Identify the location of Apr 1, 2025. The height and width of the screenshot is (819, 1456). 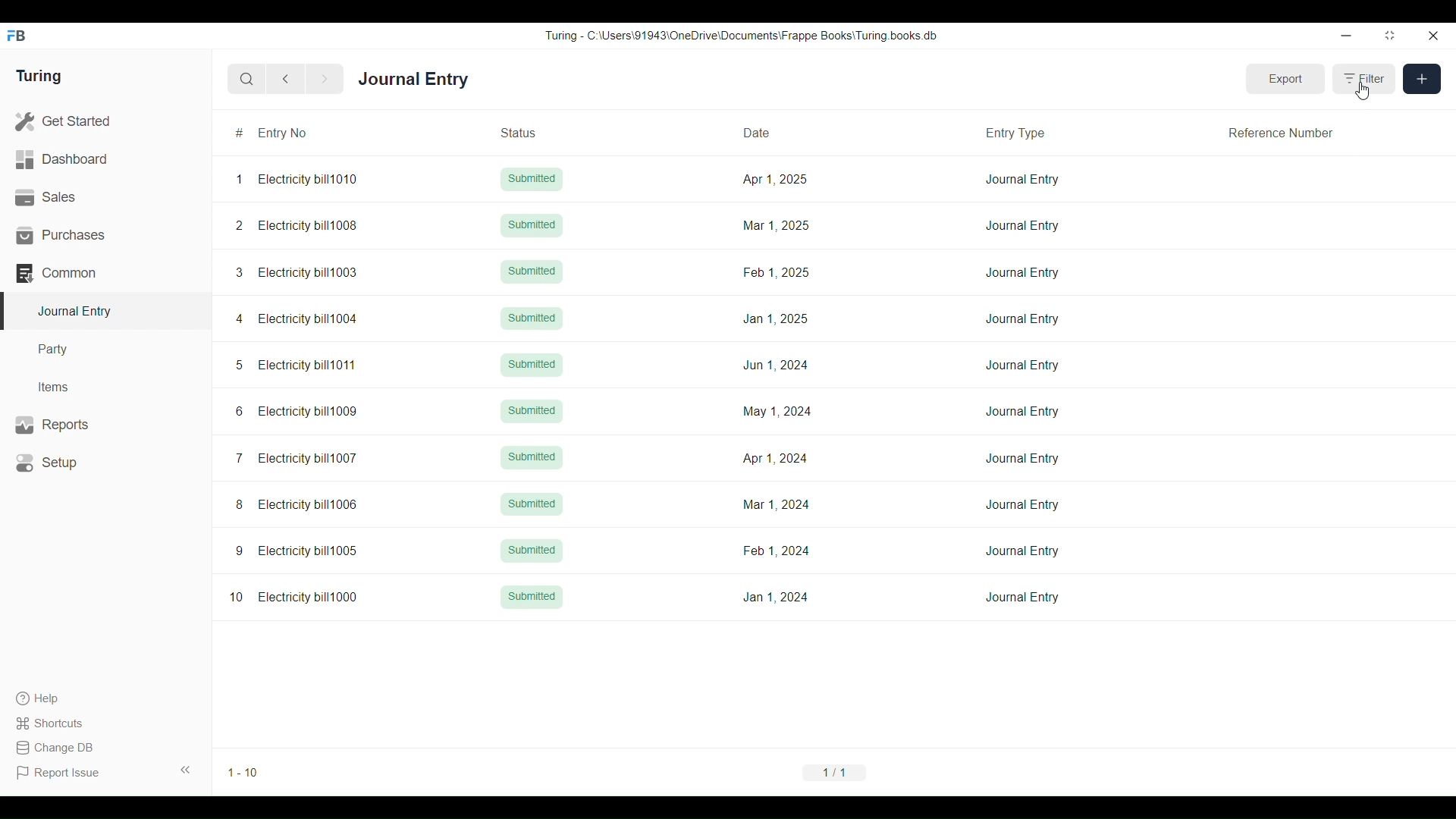
(774, 178).